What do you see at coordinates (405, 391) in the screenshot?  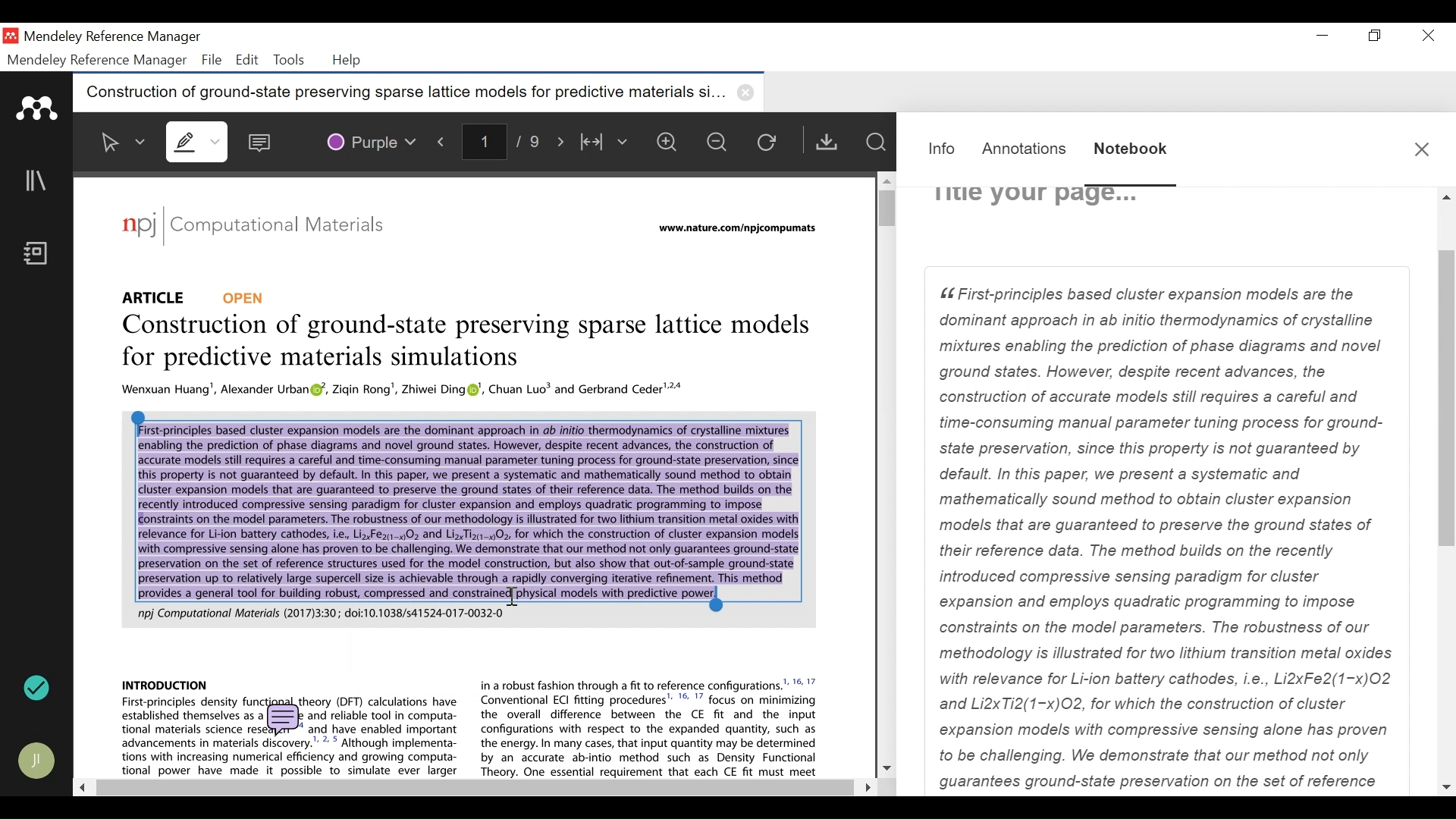 I see `PDF Context` at bounding box center [405, 391].